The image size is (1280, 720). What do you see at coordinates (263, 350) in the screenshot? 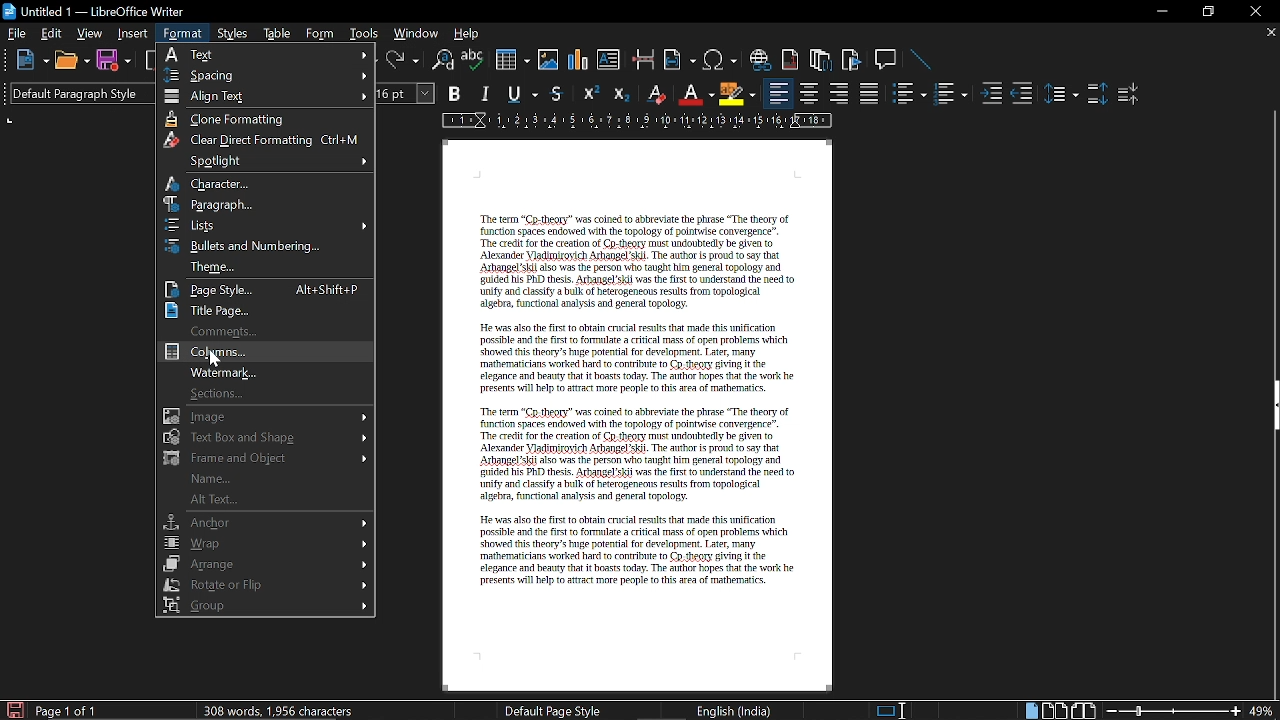
I see `Column` at bounding box center [263, 350].